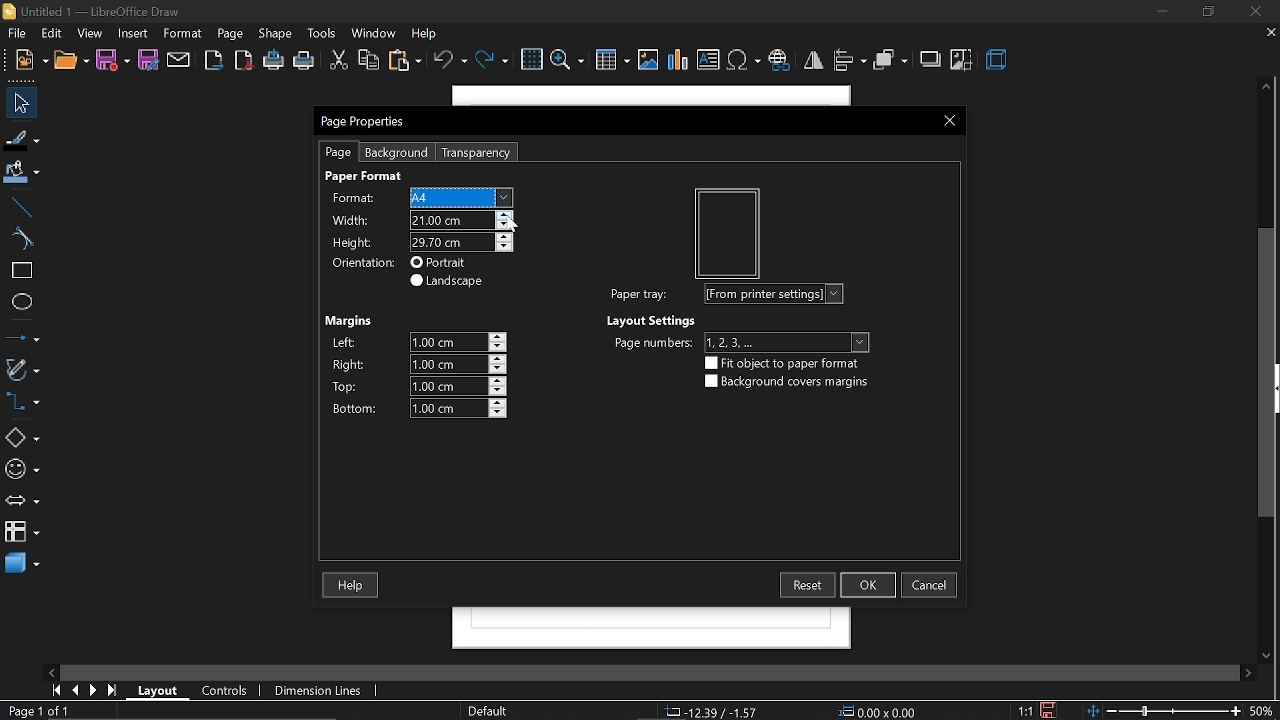  Describe the element at coordinates (805, 585) in the screenshot. I see `reset` at that location.